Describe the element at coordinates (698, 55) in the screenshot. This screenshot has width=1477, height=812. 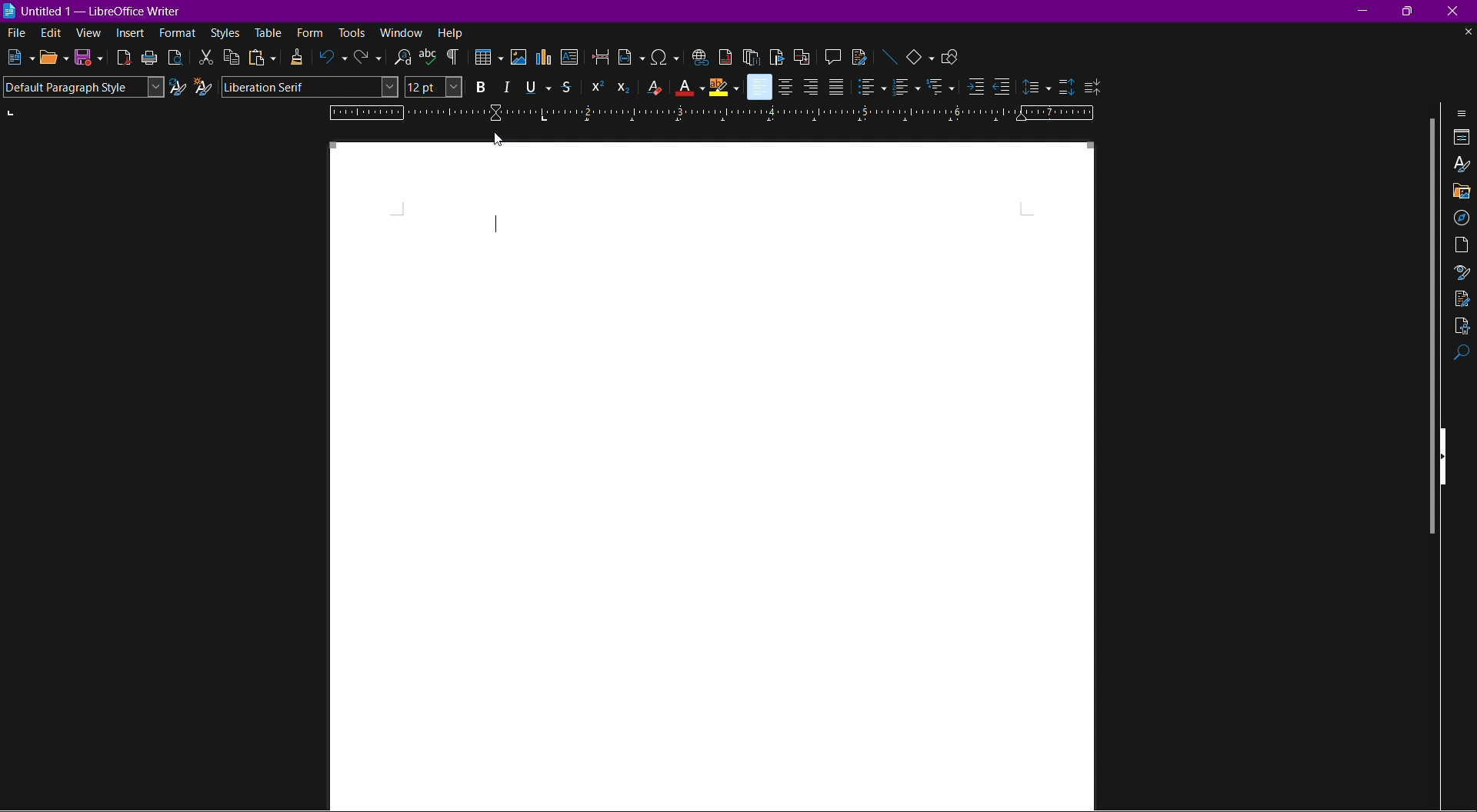
I see `Insert link` at that location.